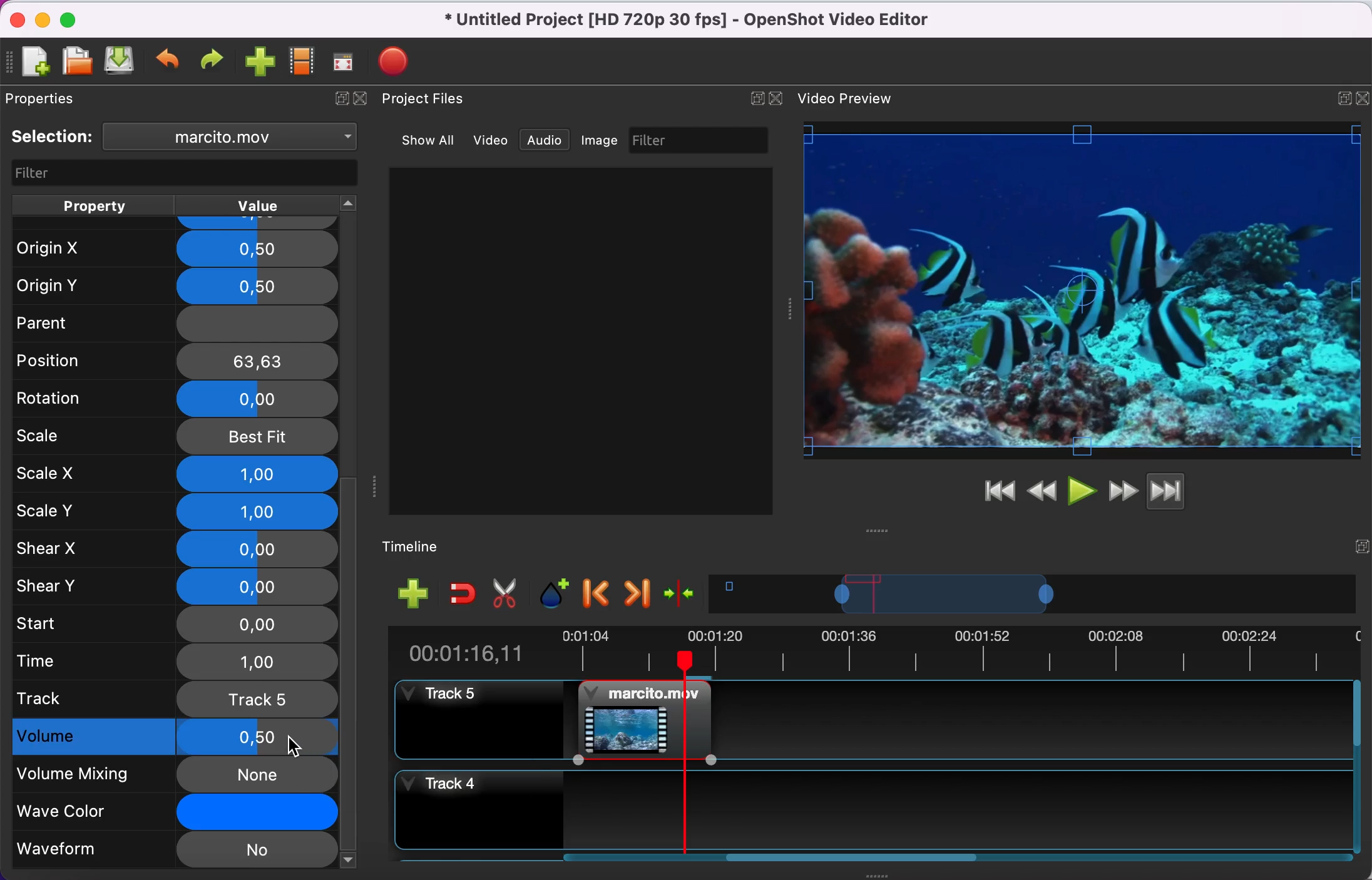 Image resolution: width=1372 pixels, height=880 pixels. Describe the element at coordinates (707, 22) in the screenshot. I see `title - Untitled Project (HD 720p 30 fps)-OpenShot Video Editor` at that location.